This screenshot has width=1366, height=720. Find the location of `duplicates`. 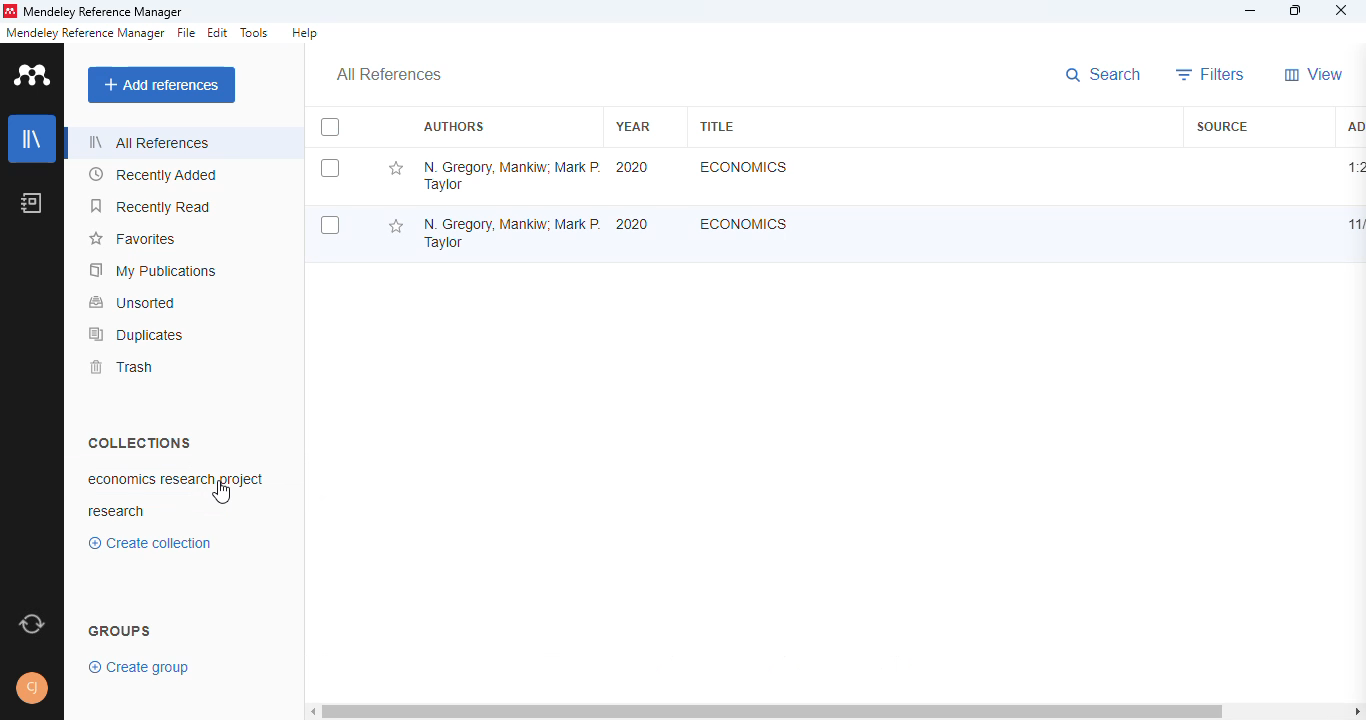

duplicates is located at coordinates (137, 334).